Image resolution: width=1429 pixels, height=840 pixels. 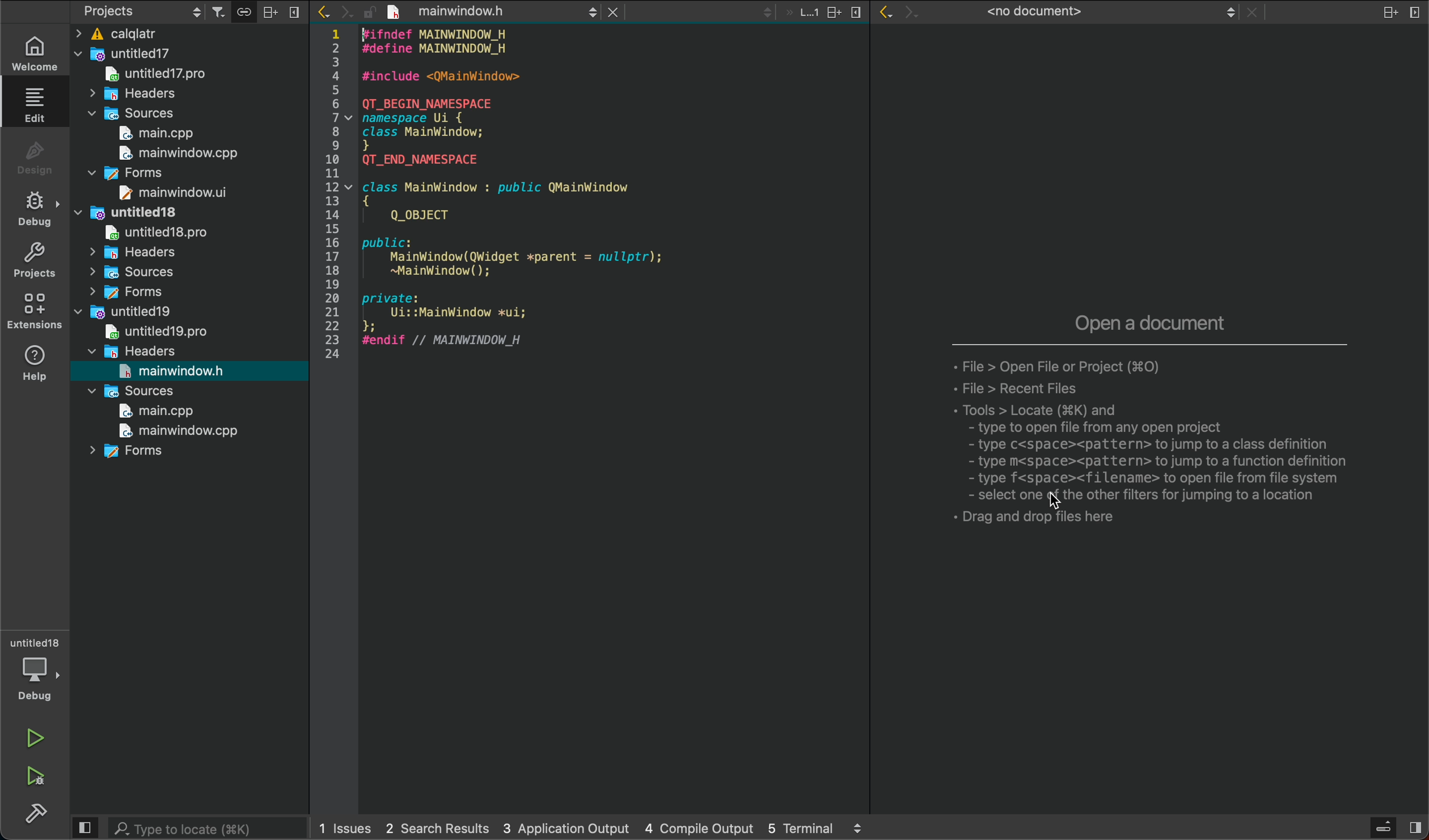 What do you see at coordinates (141, 351) in the screenshot?
I see `headers` at bounding box center [141, 351].